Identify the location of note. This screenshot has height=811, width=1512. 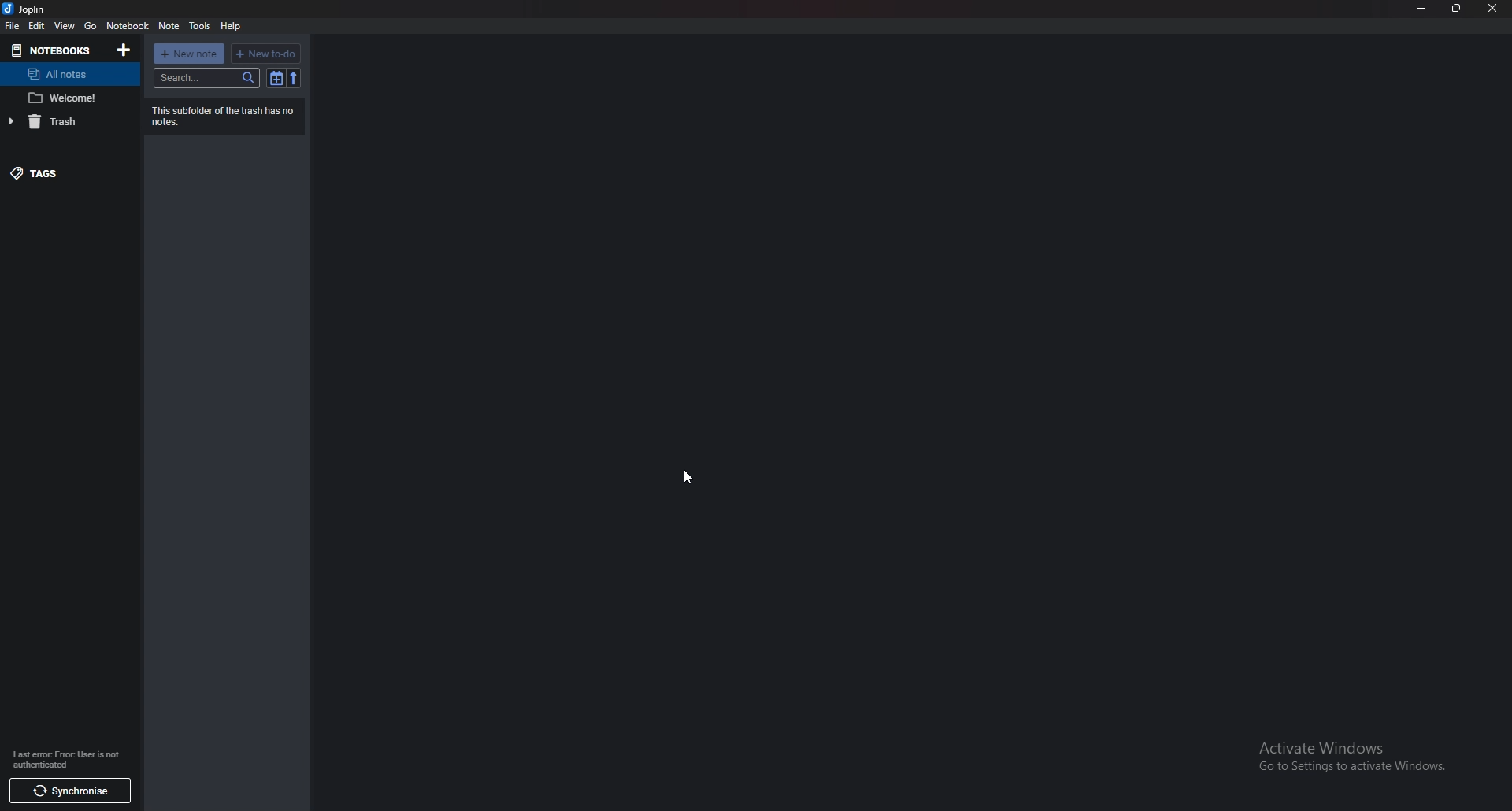
(169, 26).